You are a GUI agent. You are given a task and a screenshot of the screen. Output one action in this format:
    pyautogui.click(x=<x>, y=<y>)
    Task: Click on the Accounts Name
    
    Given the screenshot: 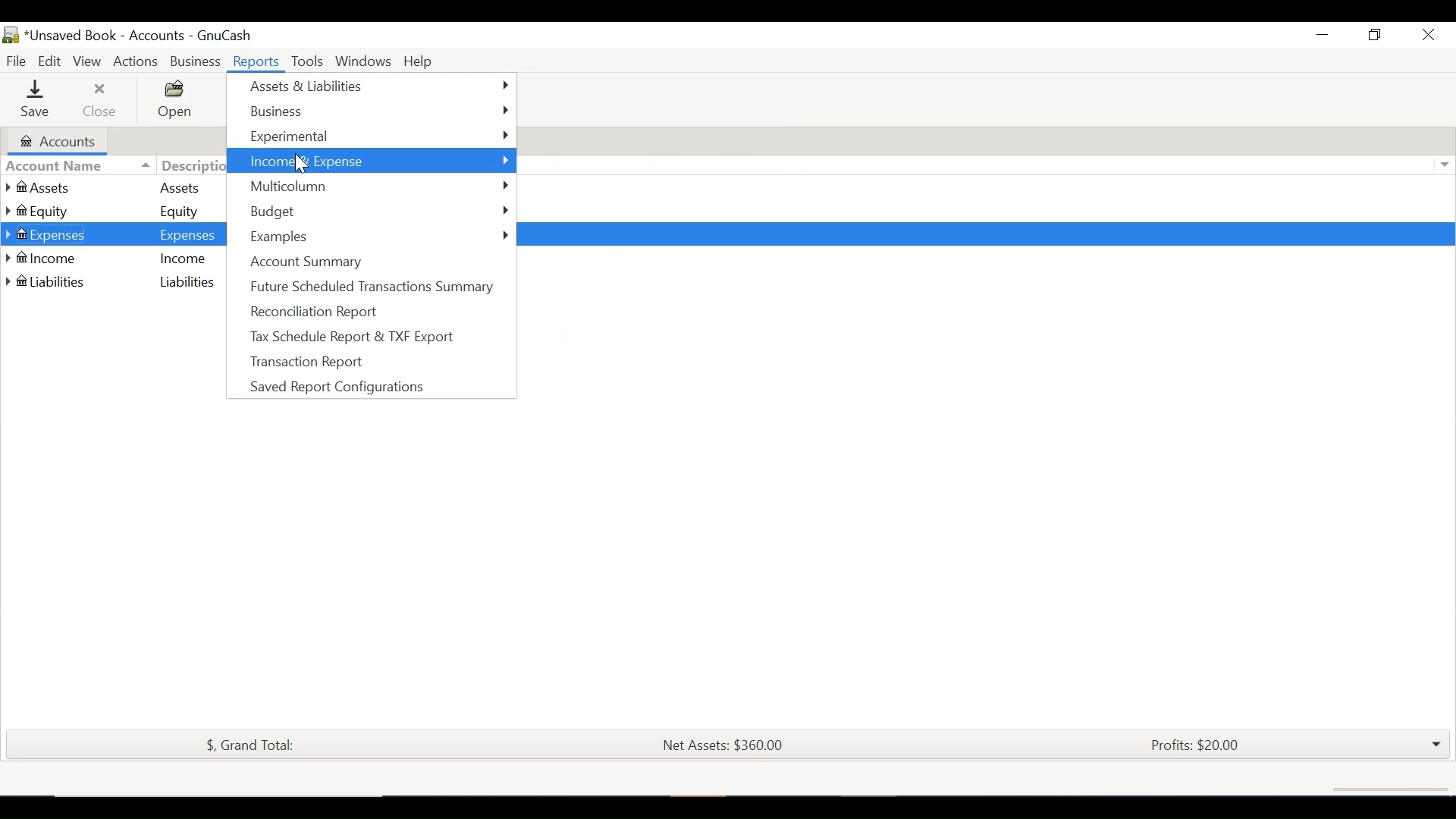 What is the action you would take?
    pyautogui.click(x=129, y=34)
    